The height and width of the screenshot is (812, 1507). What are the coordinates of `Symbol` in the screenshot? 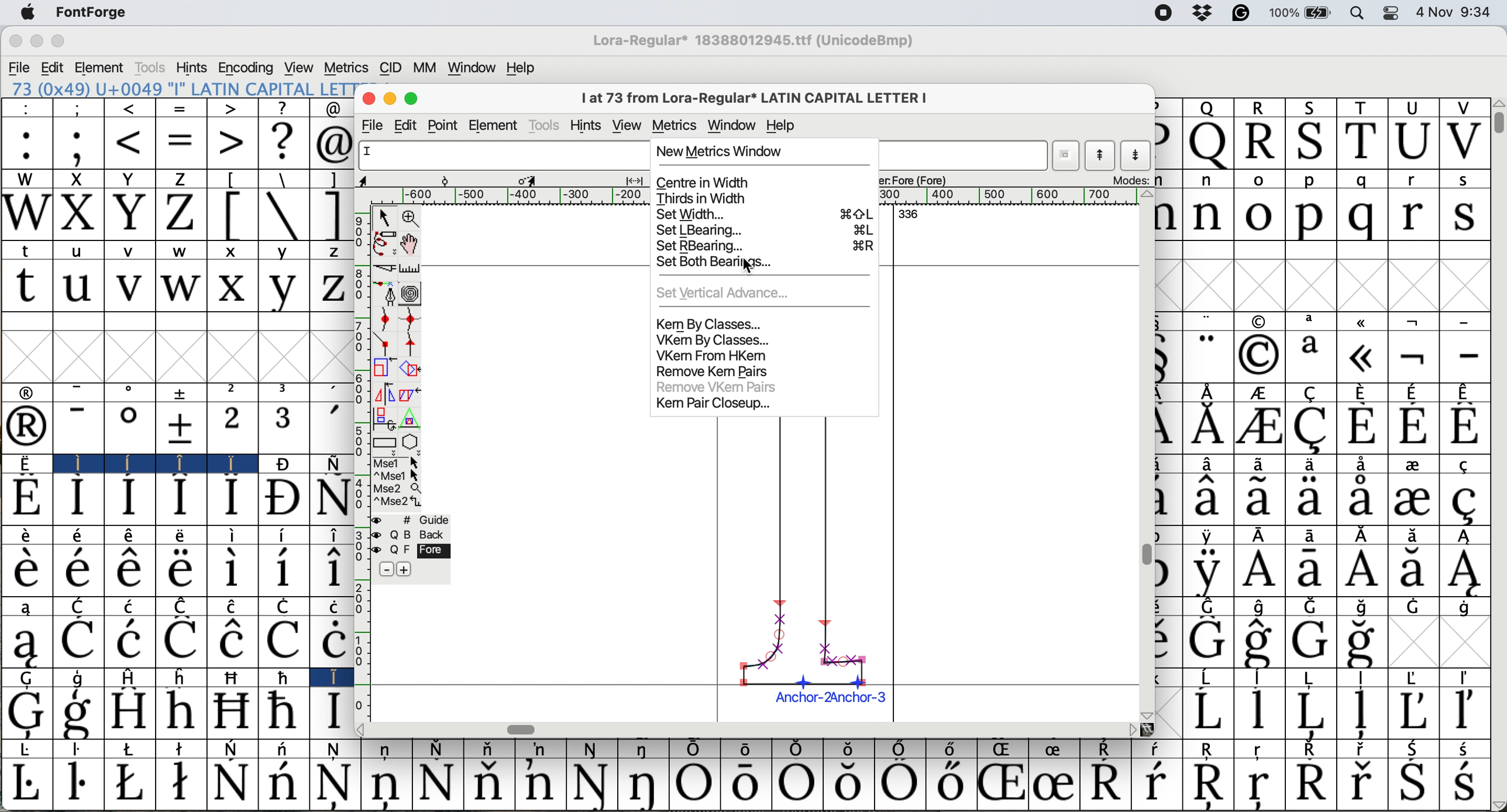 It's located at (387, 751).